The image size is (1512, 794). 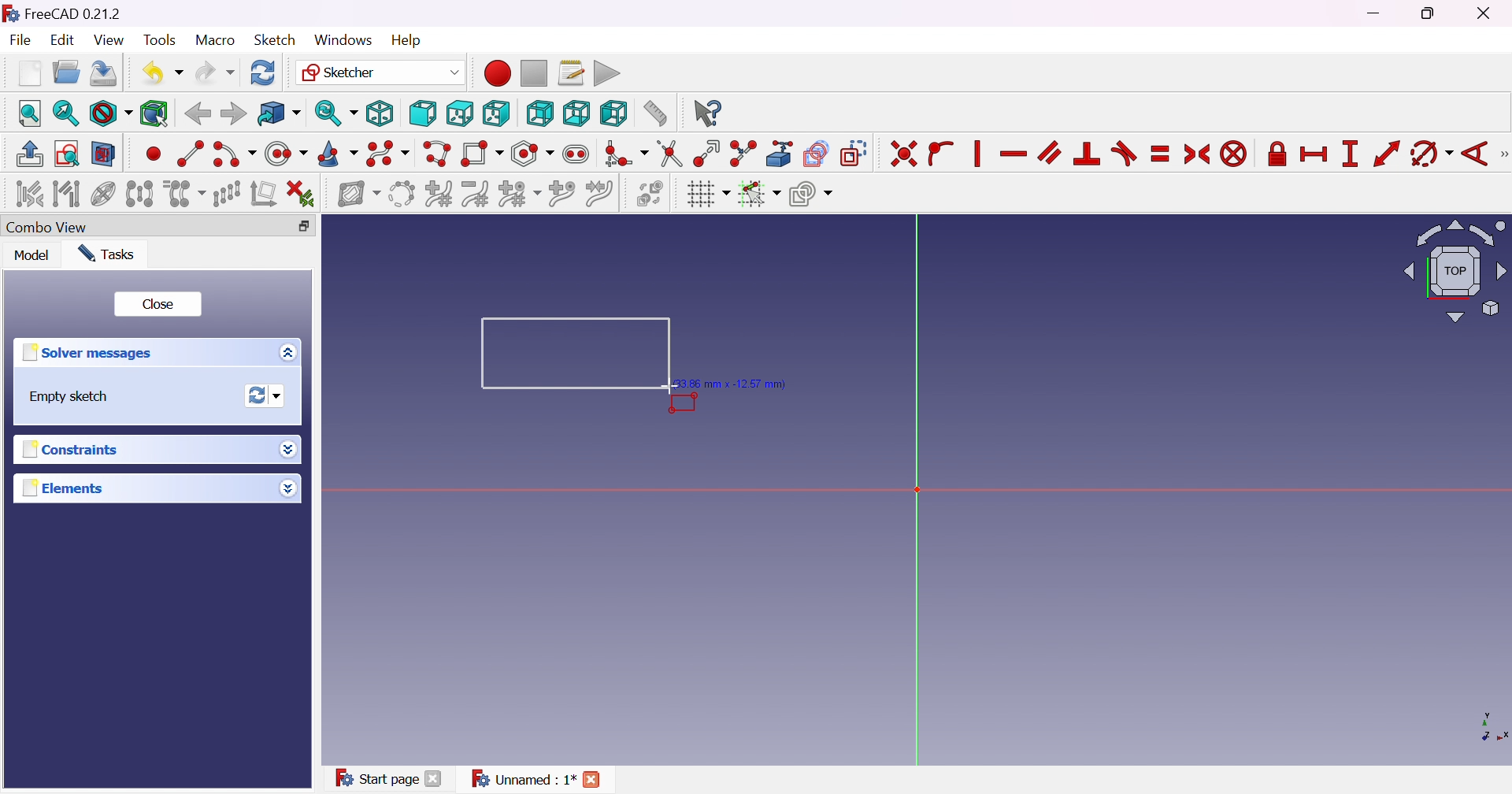 What do you see at coordinates (608, 72) in the screenshot?
I see `Execute macro` at bounding box center [608, 72].